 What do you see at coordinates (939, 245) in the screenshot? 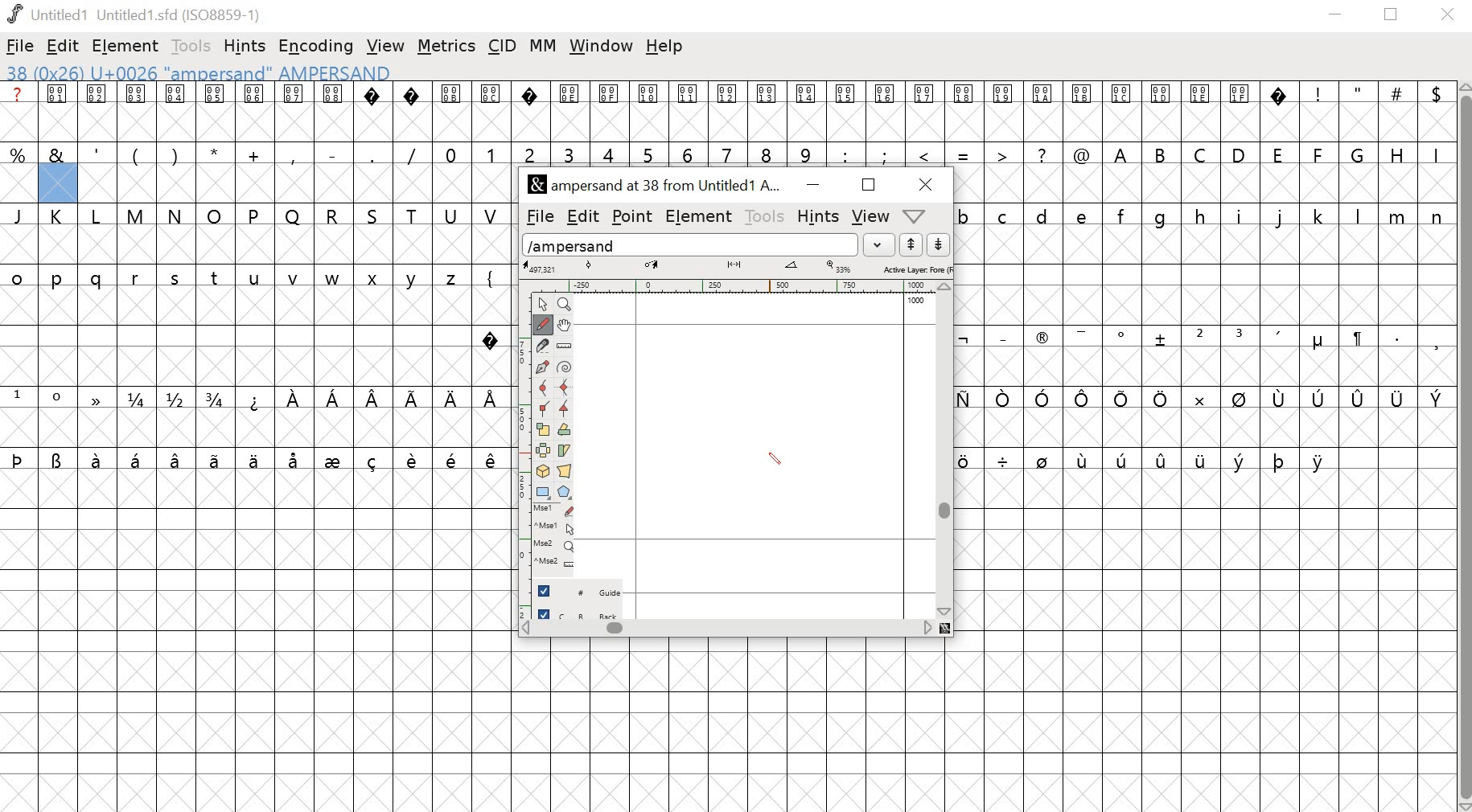
I see `next word in the word list` at bounding box center [939, 245].